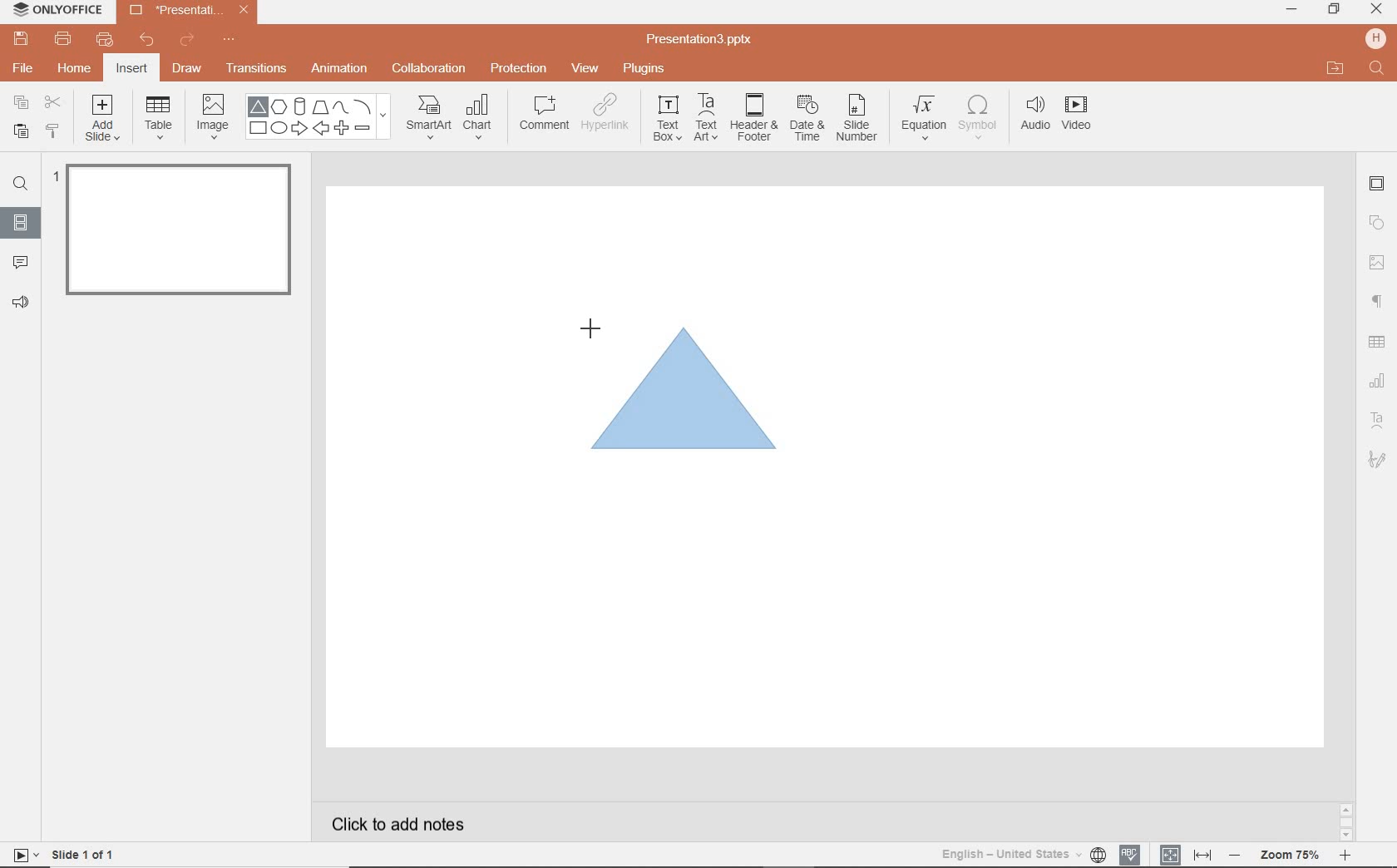 The image size is (1397, 868). What do you see at coordinates (23, 37) in the screenshot?
I see `SAVE` at bounding box center [23, 37].